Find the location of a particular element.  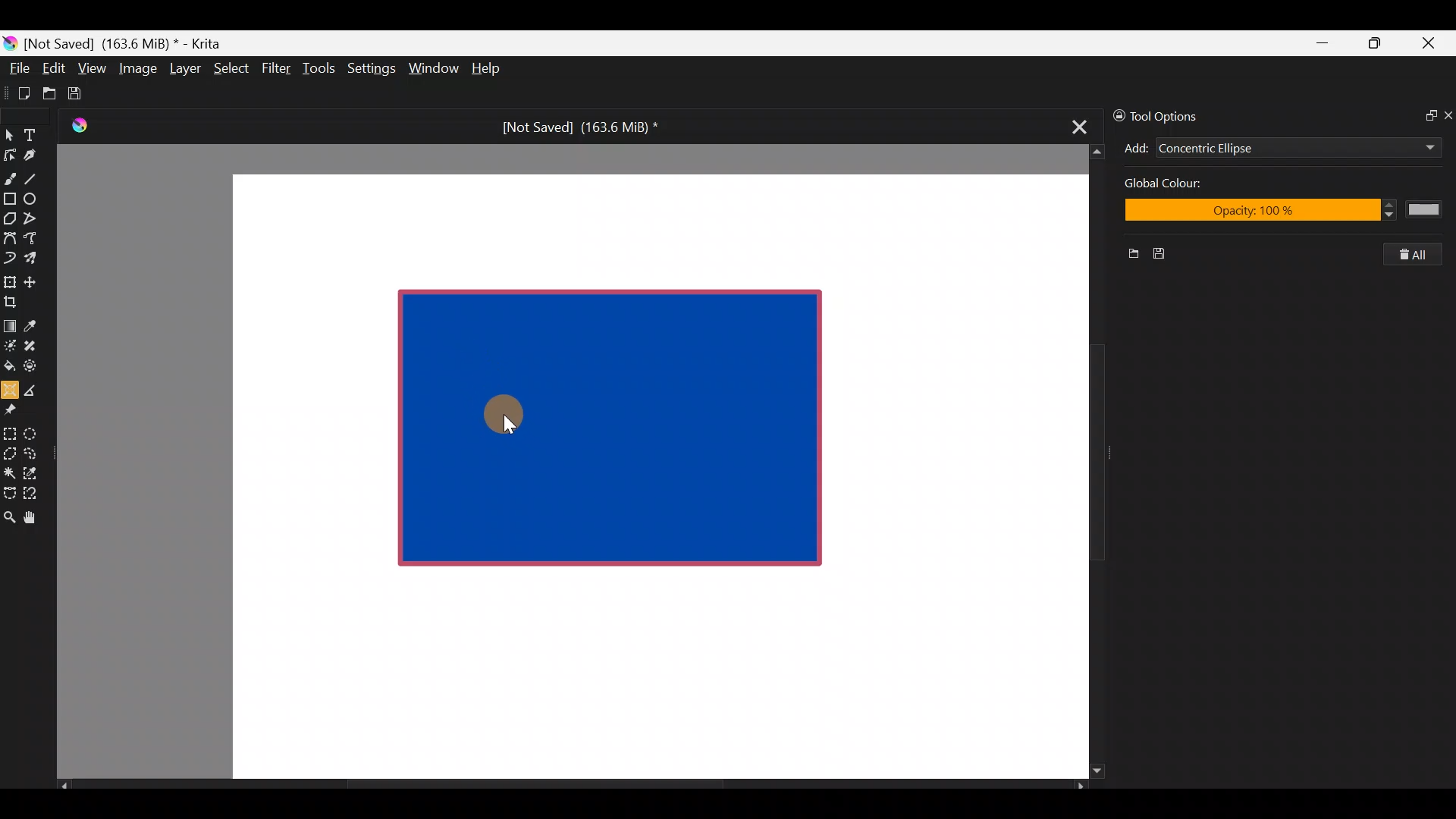

Freehand selection tool is located at coordinates (33, 452).